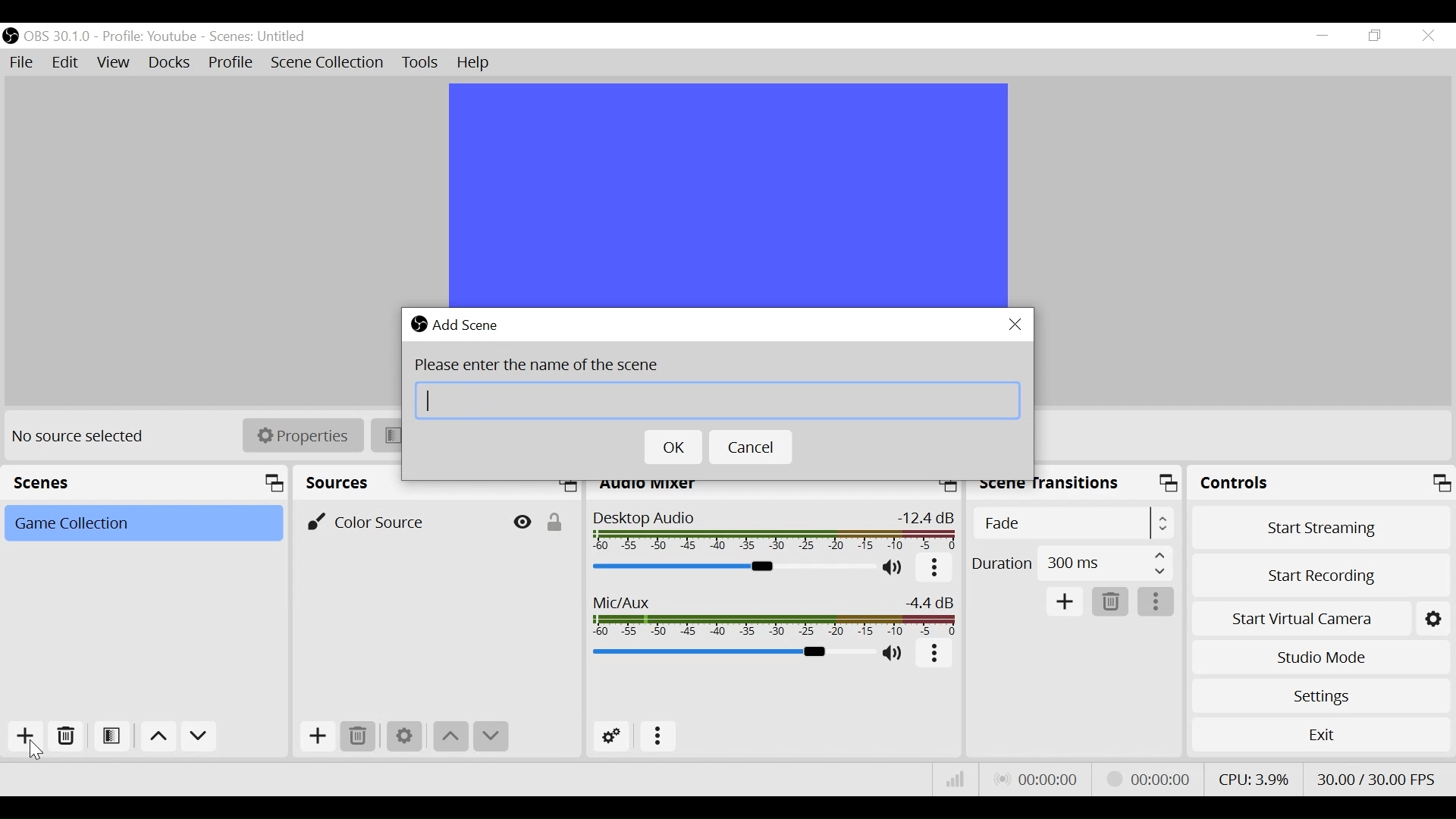 The height and width of the screenshot is (819, 1456). I want to click on Start Recording, so click(1321, 573).